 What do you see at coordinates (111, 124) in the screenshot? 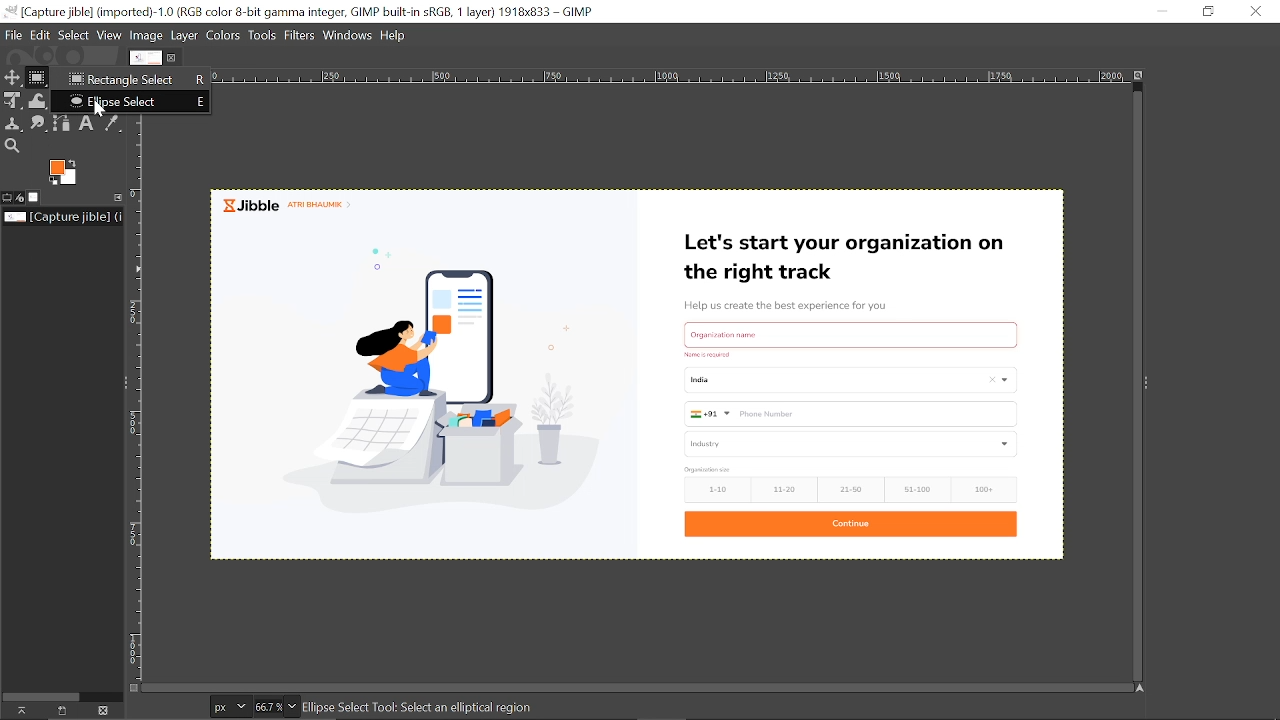
I see `Color picker tool` at bounding box center [111, 124].